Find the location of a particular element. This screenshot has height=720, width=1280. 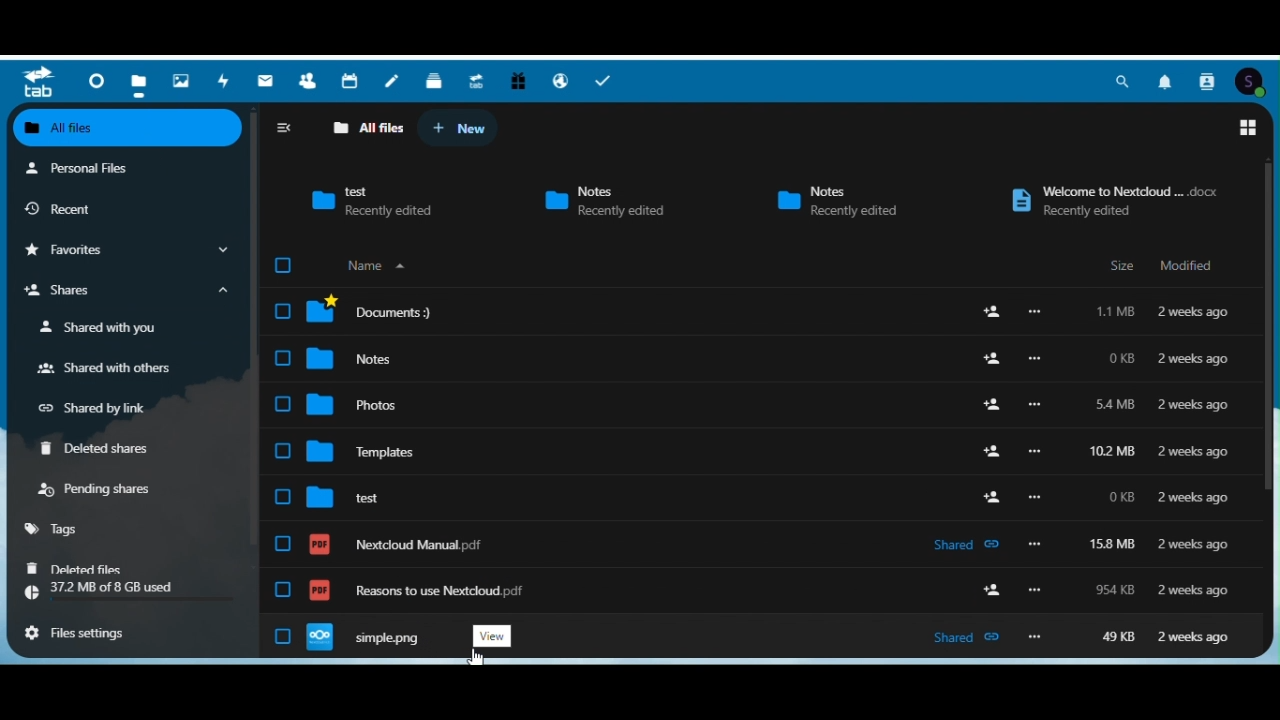

Dashboard is located at coordinates (96, 80).